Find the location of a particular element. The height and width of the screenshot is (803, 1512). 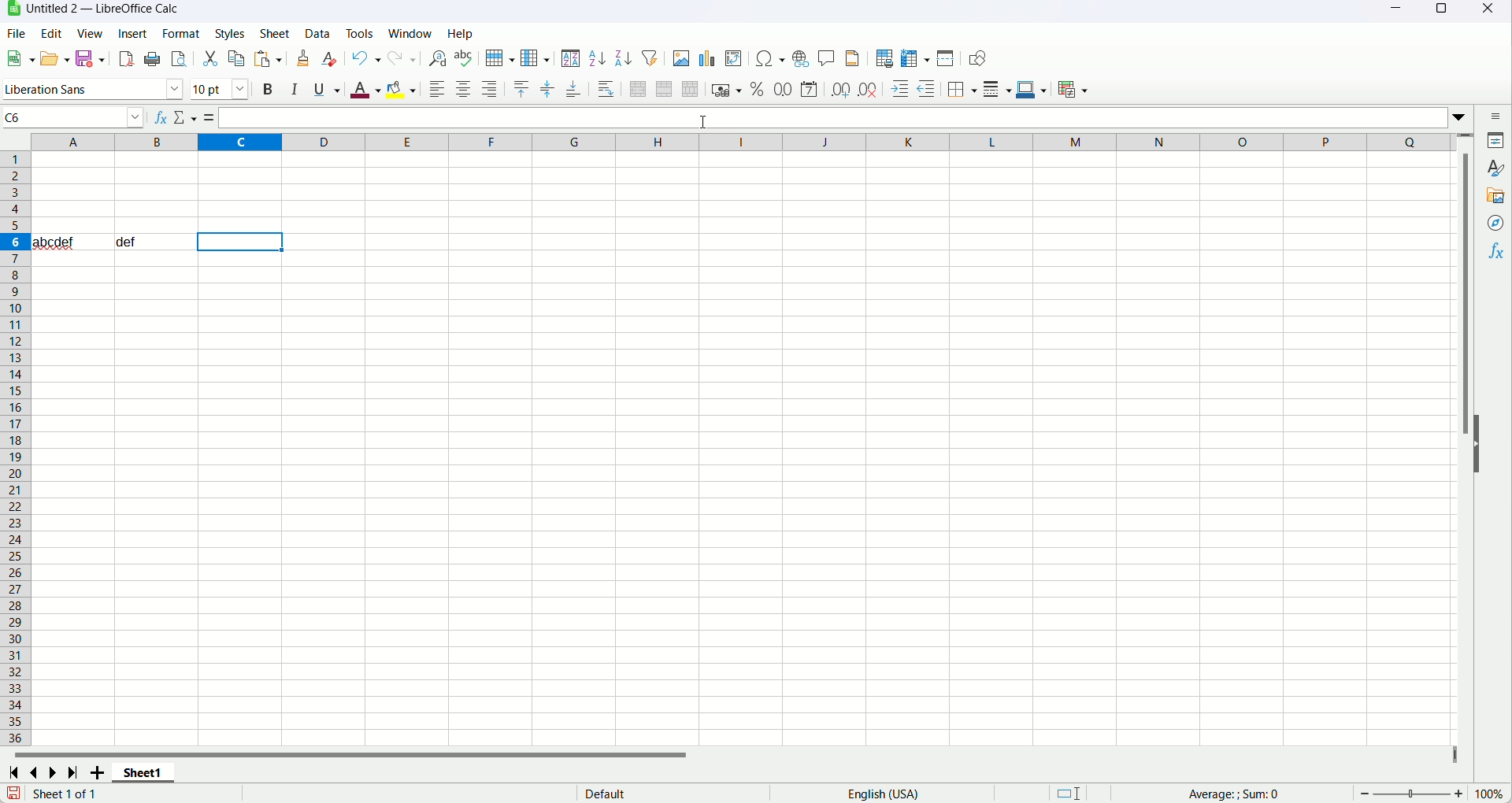

border color is located at coordinates (1032, 88).